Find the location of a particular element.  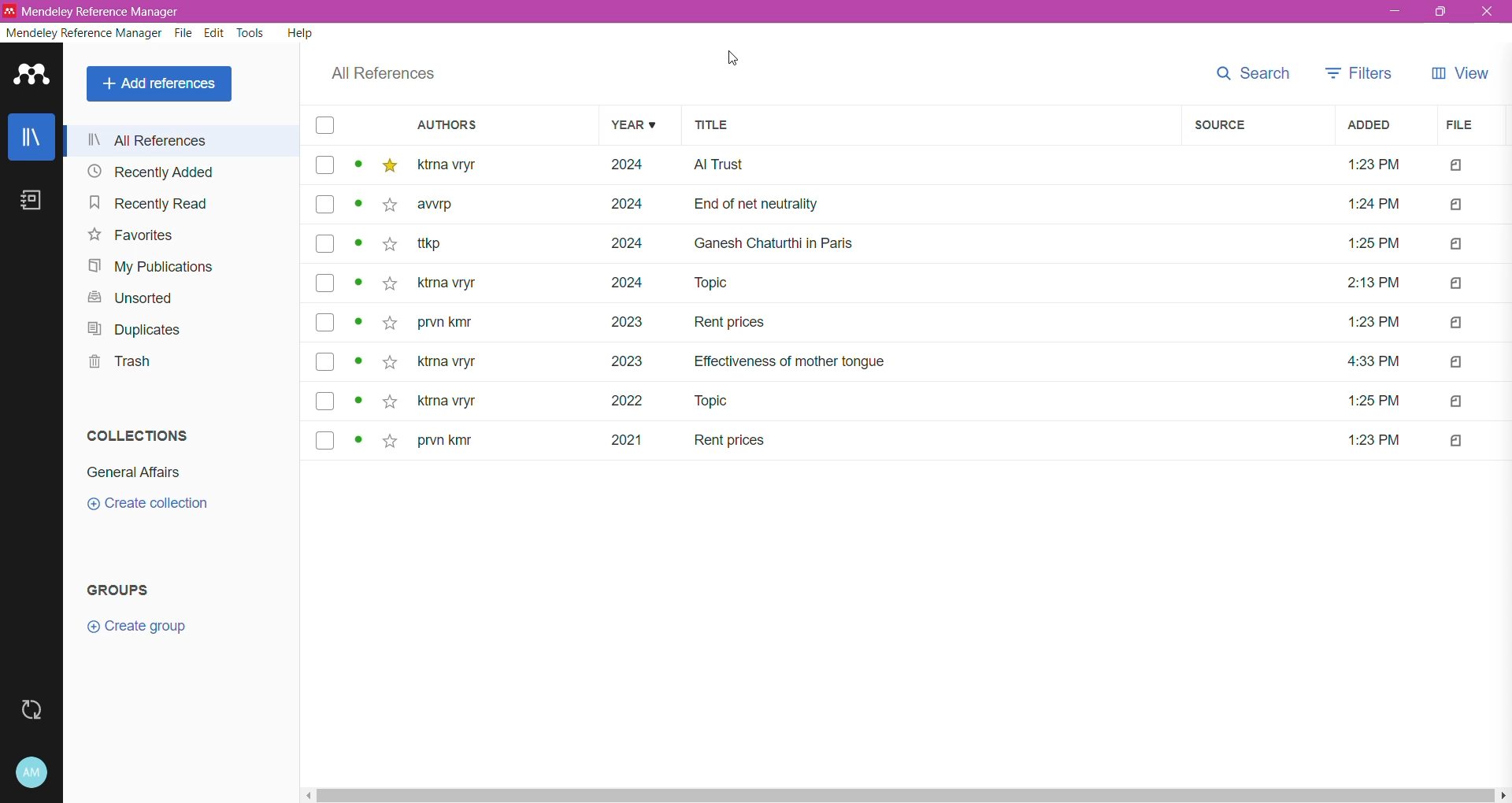

file type is located at coordinates (1458, 401).